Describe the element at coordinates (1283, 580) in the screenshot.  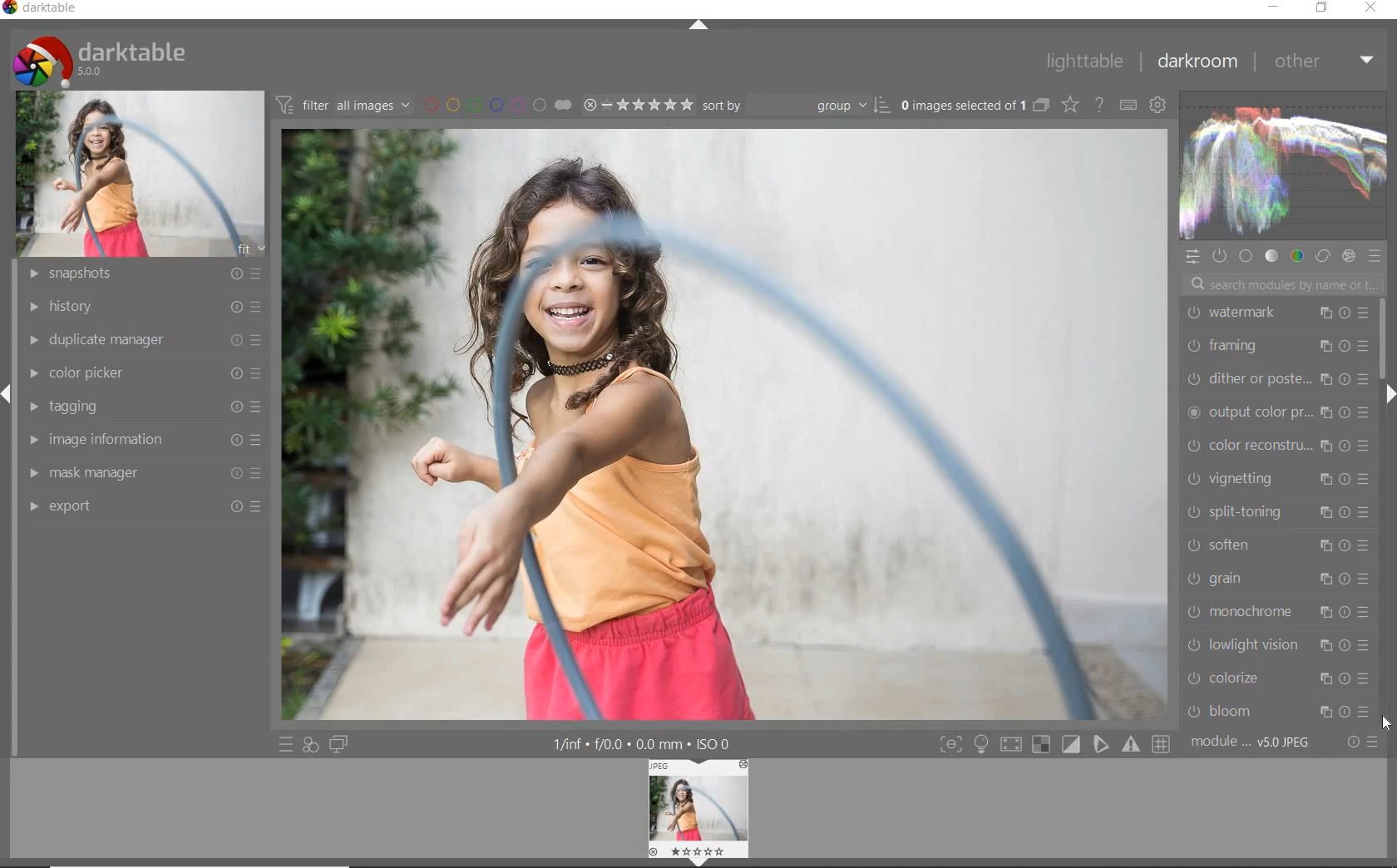
I see `grain` at that location.